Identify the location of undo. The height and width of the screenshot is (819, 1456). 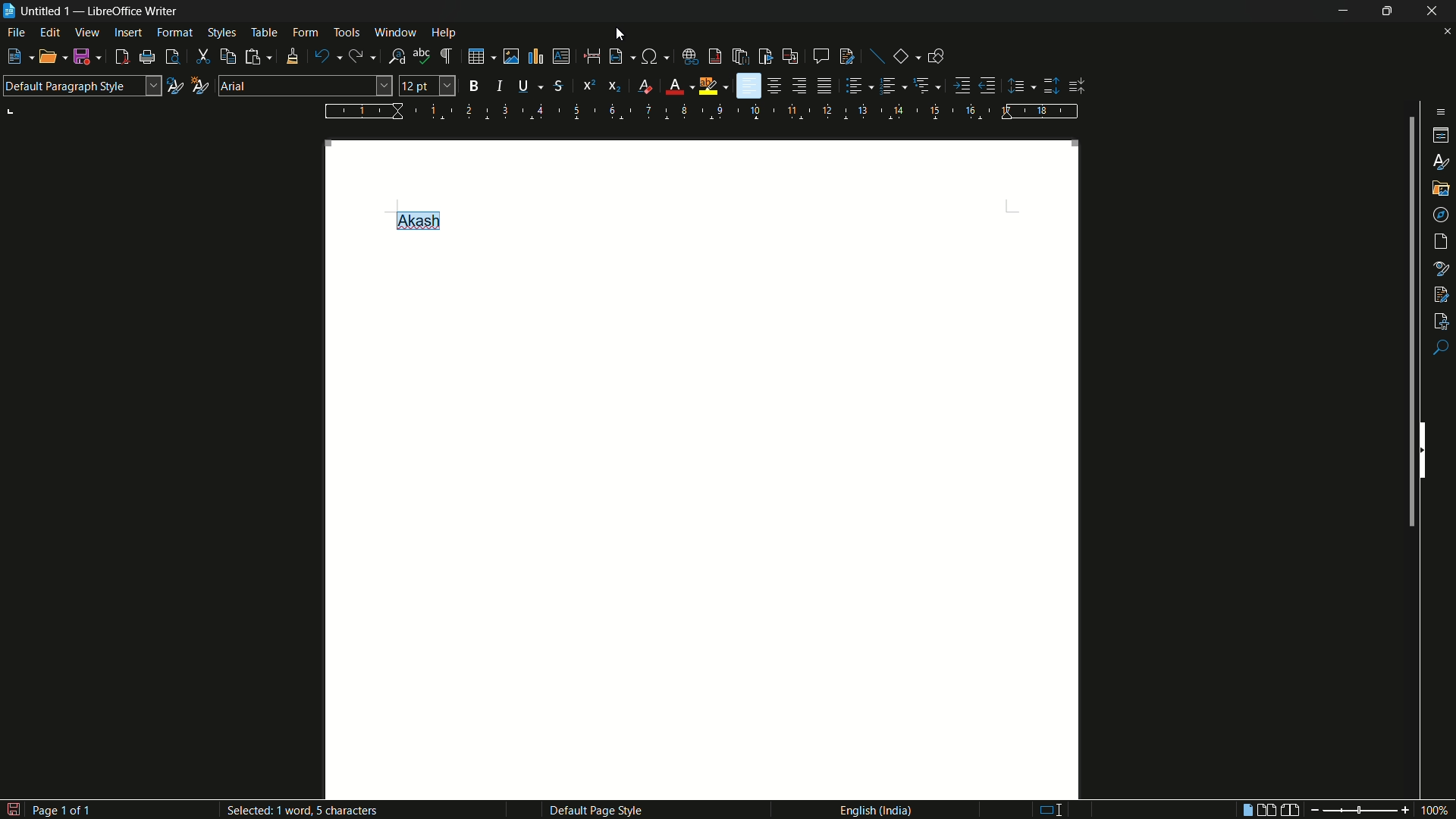
(322, 57).